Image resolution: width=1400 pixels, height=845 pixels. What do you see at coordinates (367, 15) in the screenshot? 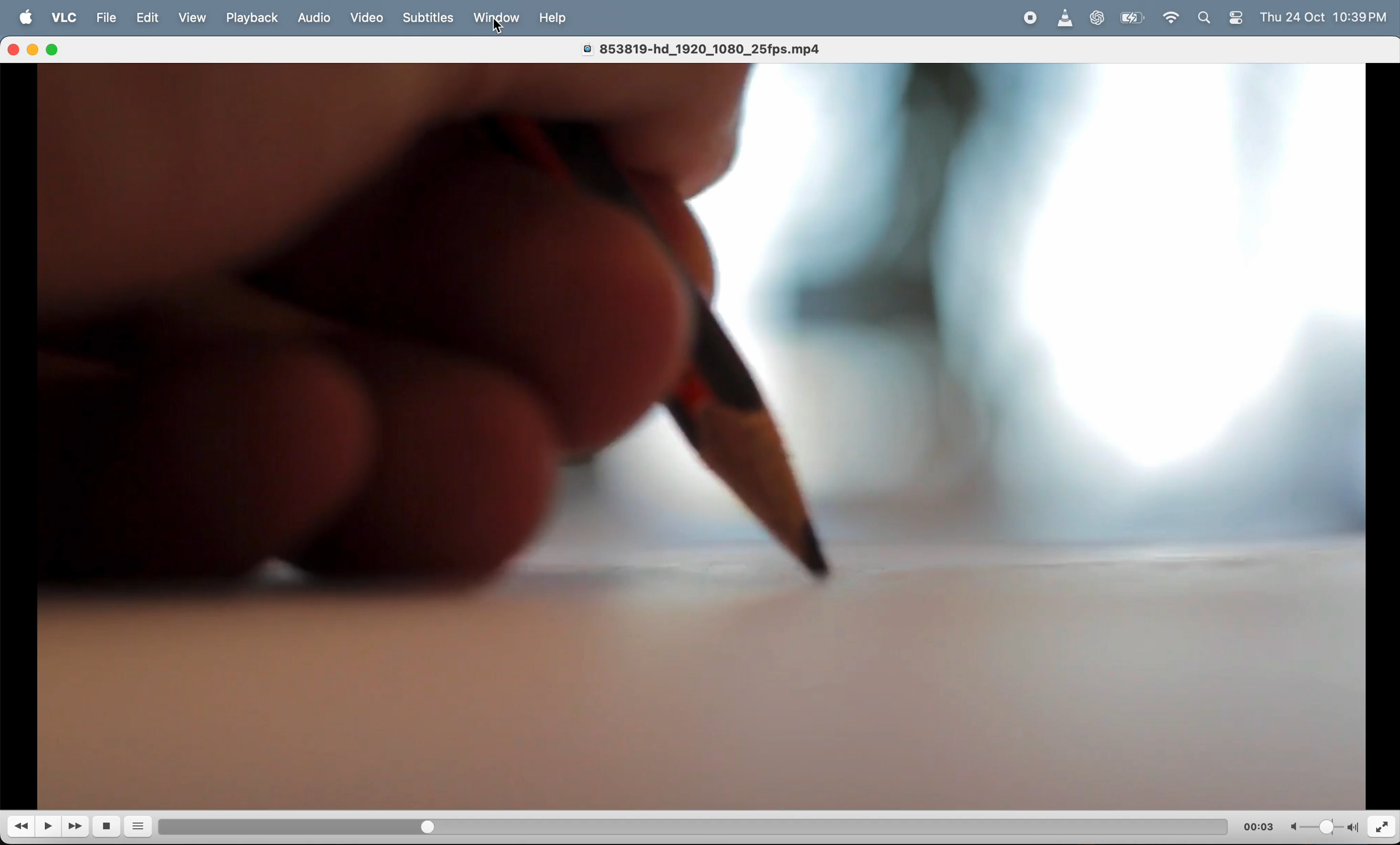
I see `video` at bounding box center [367, 15].